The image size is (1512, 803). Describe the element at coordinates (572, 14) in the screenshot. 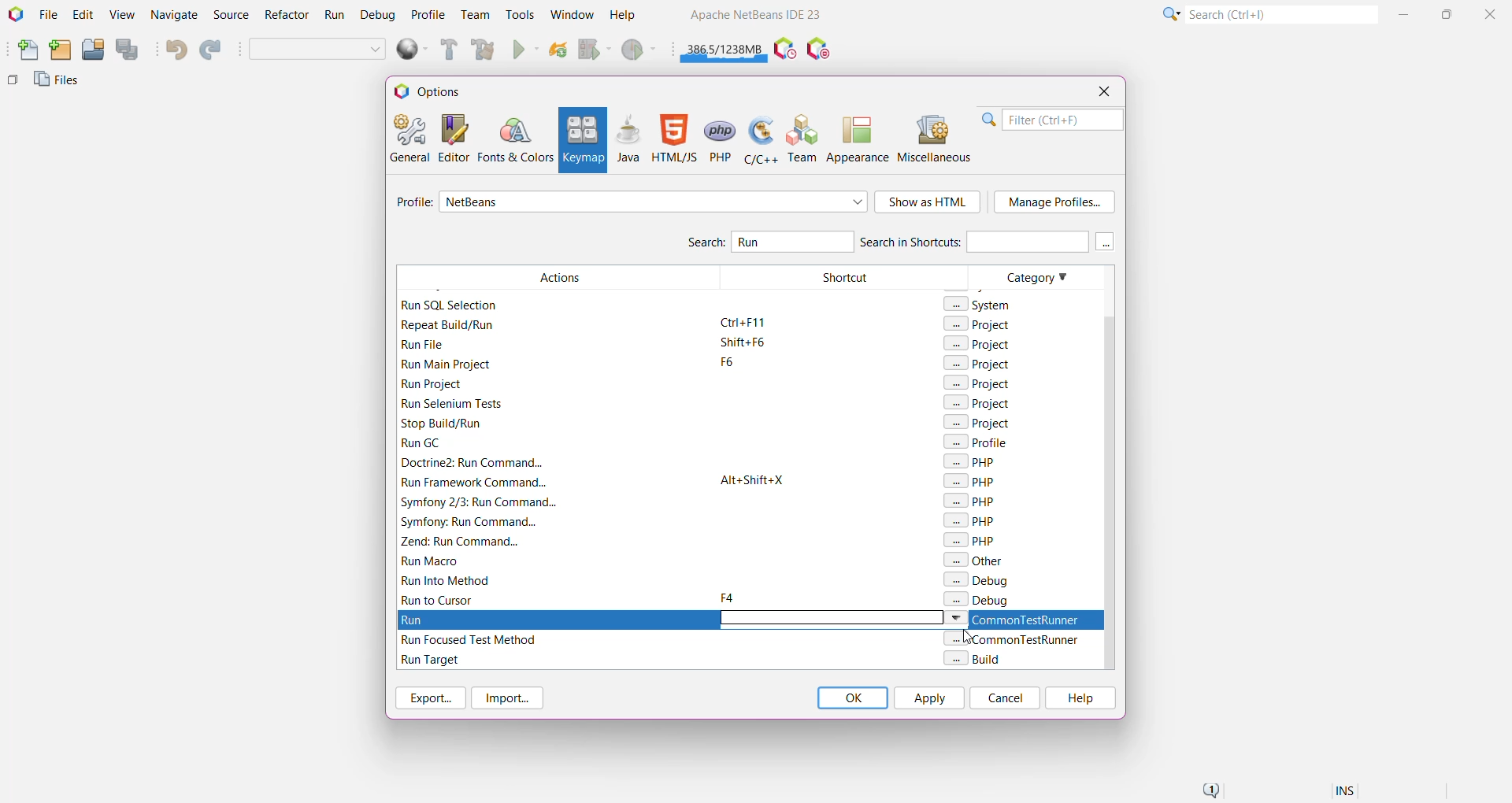

I see `Window` at that location.